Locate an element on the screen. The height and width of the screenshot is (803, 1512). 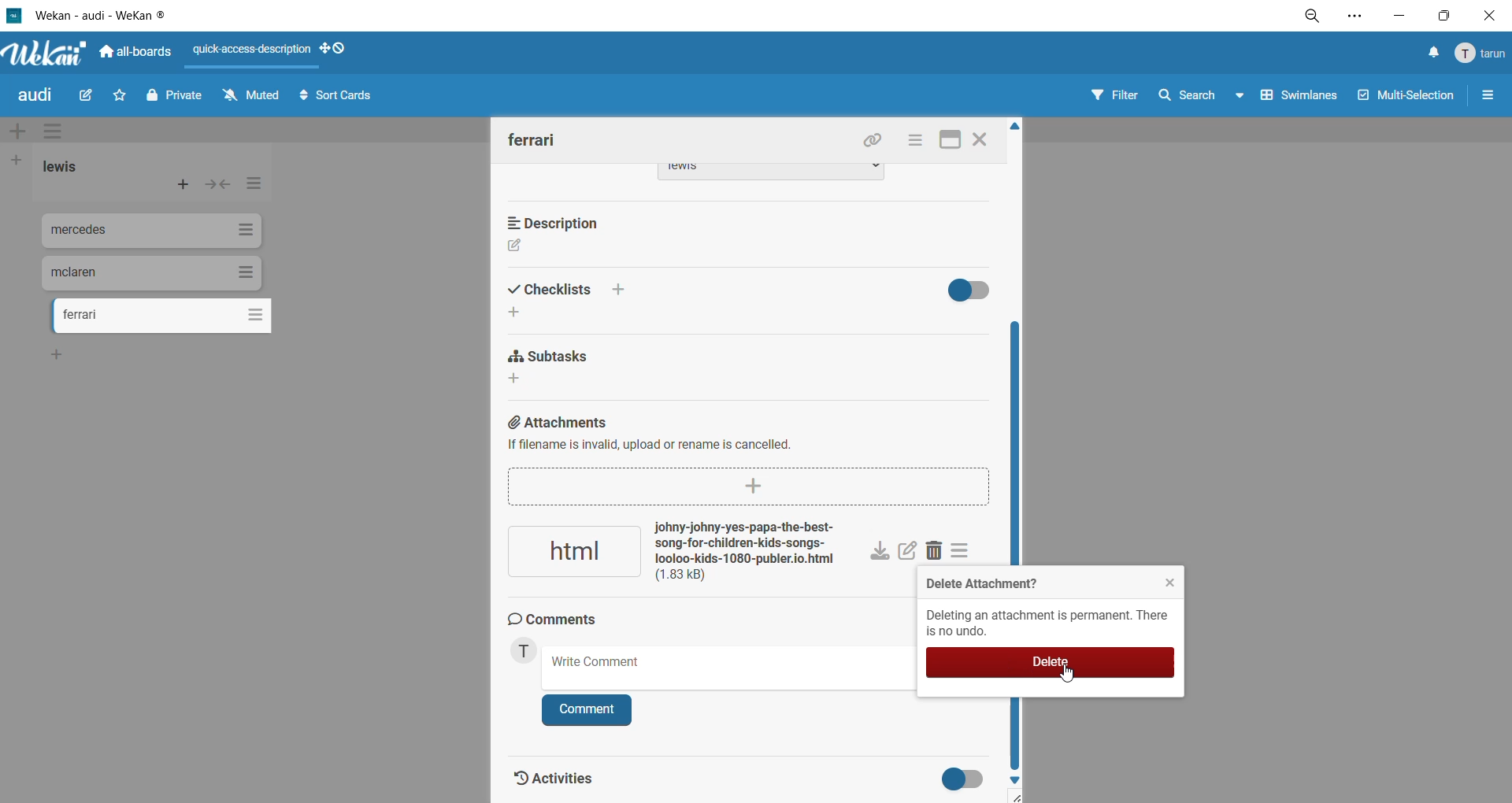
maximize is located at coordinates (1440, 18).